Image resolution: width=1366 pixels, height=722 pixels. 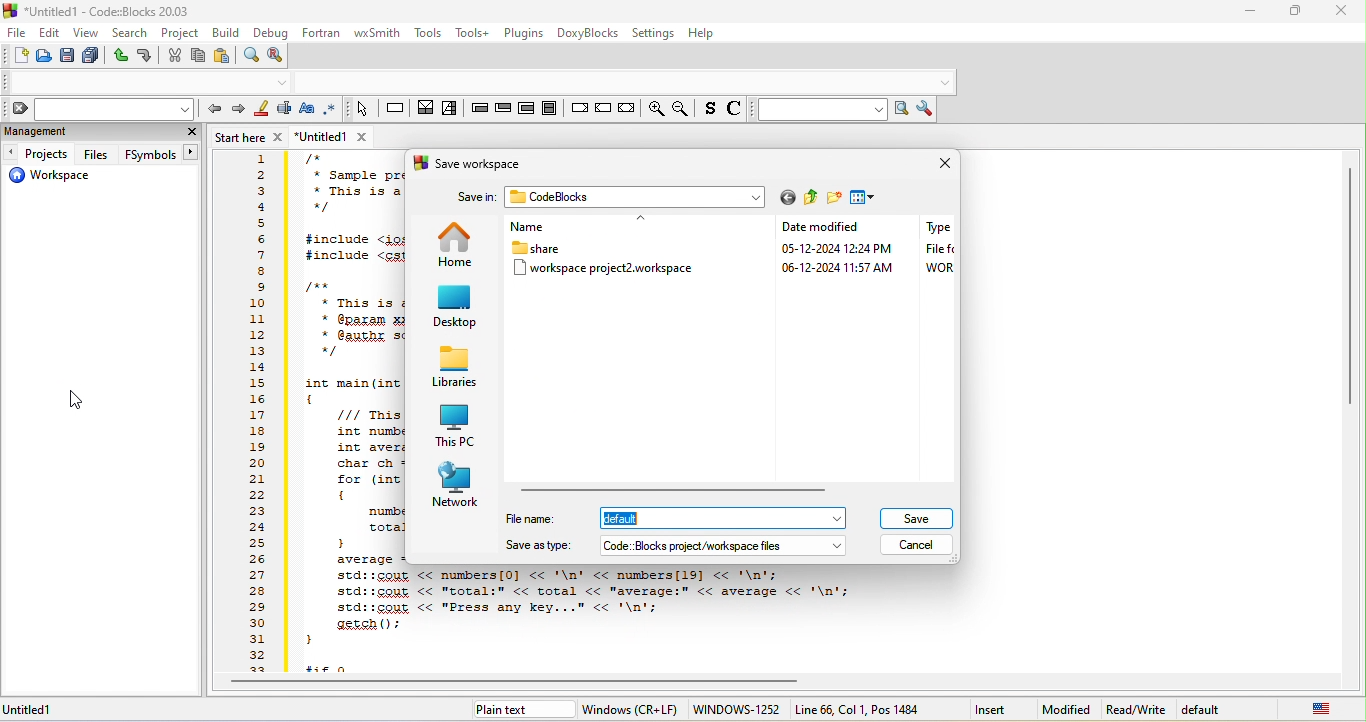 What do you see at coordinates (188, 131) in the screenshot?
I see `close` at bounding box center [188, 131].